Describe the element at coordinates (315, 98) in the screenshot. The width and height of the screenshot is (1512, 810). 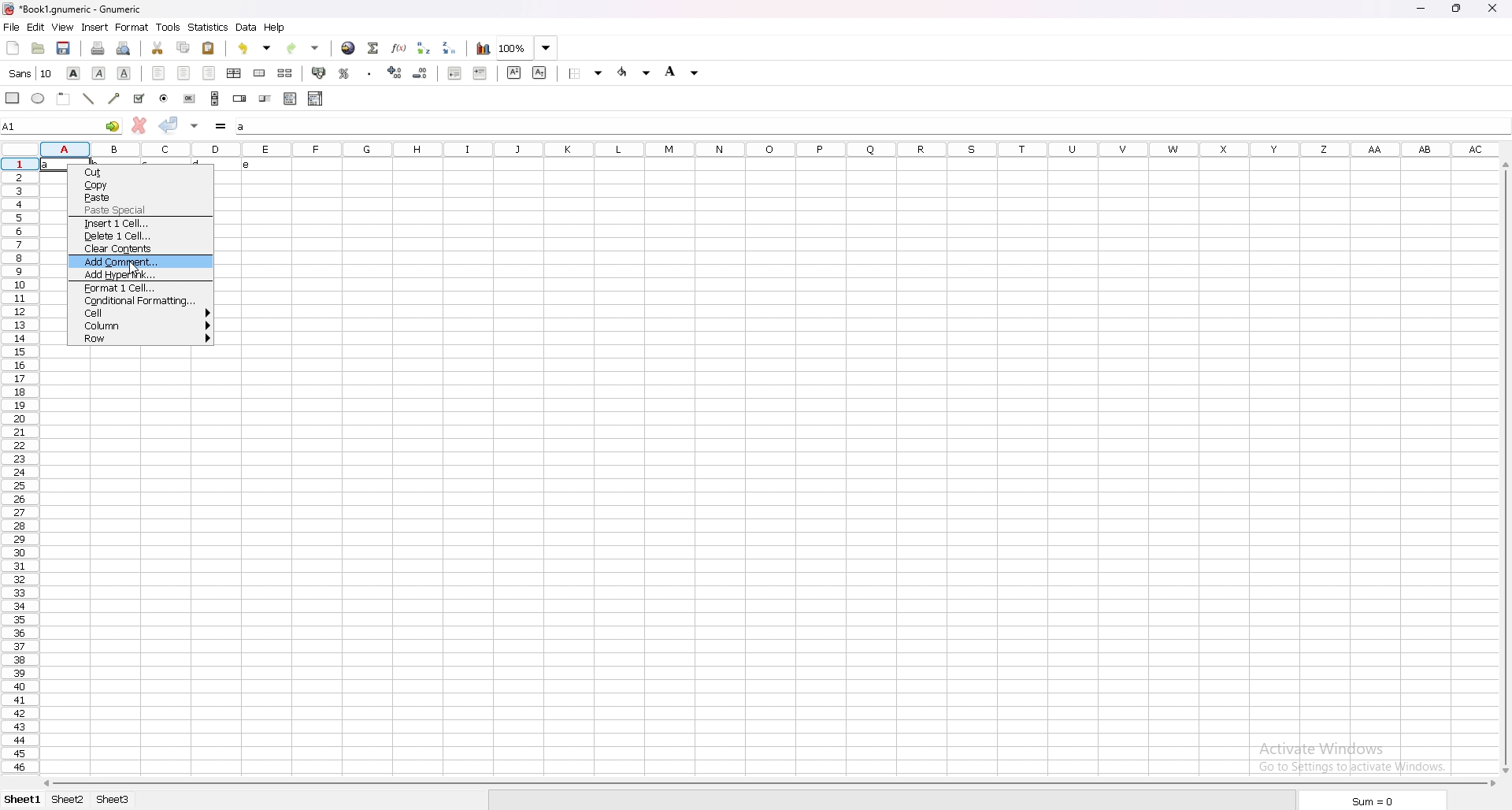
I see `combo box` at that location.